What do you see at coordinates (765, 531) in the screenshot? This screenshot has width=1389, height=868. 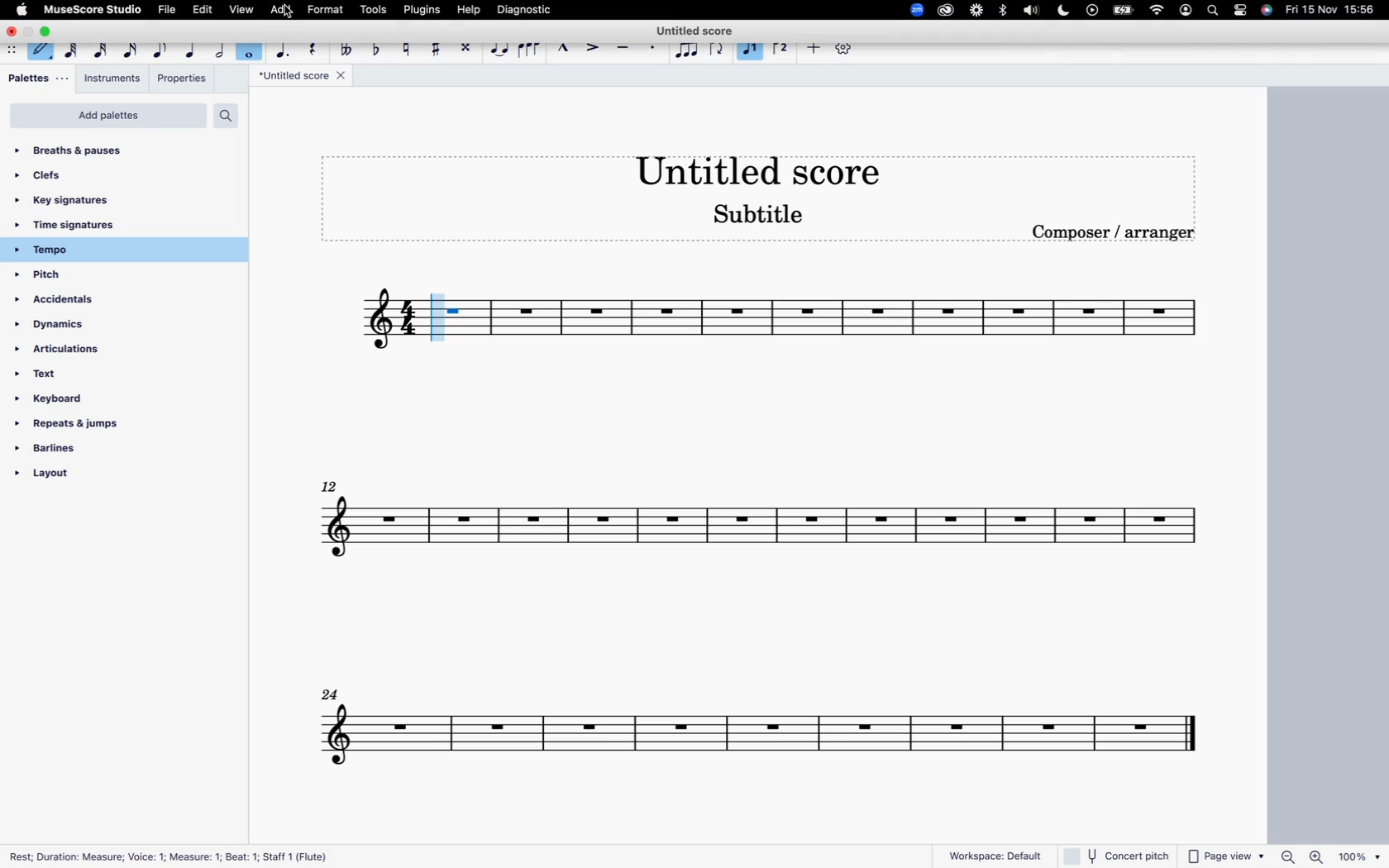 I see `score` at bounding box center [765, 531].